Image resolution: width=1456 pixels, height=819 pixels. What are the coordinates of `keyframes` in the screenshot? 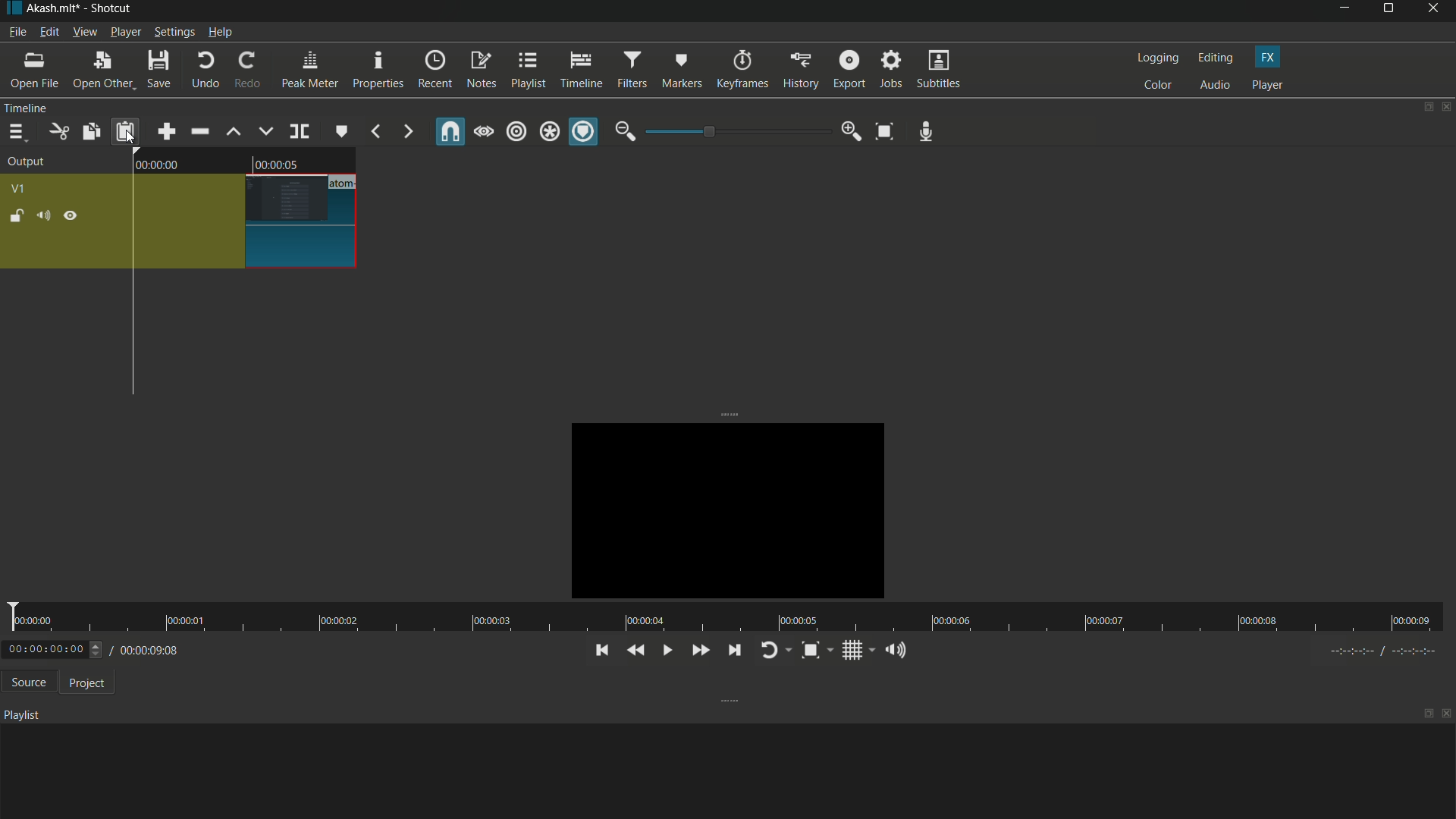 It's located at (741, 70).